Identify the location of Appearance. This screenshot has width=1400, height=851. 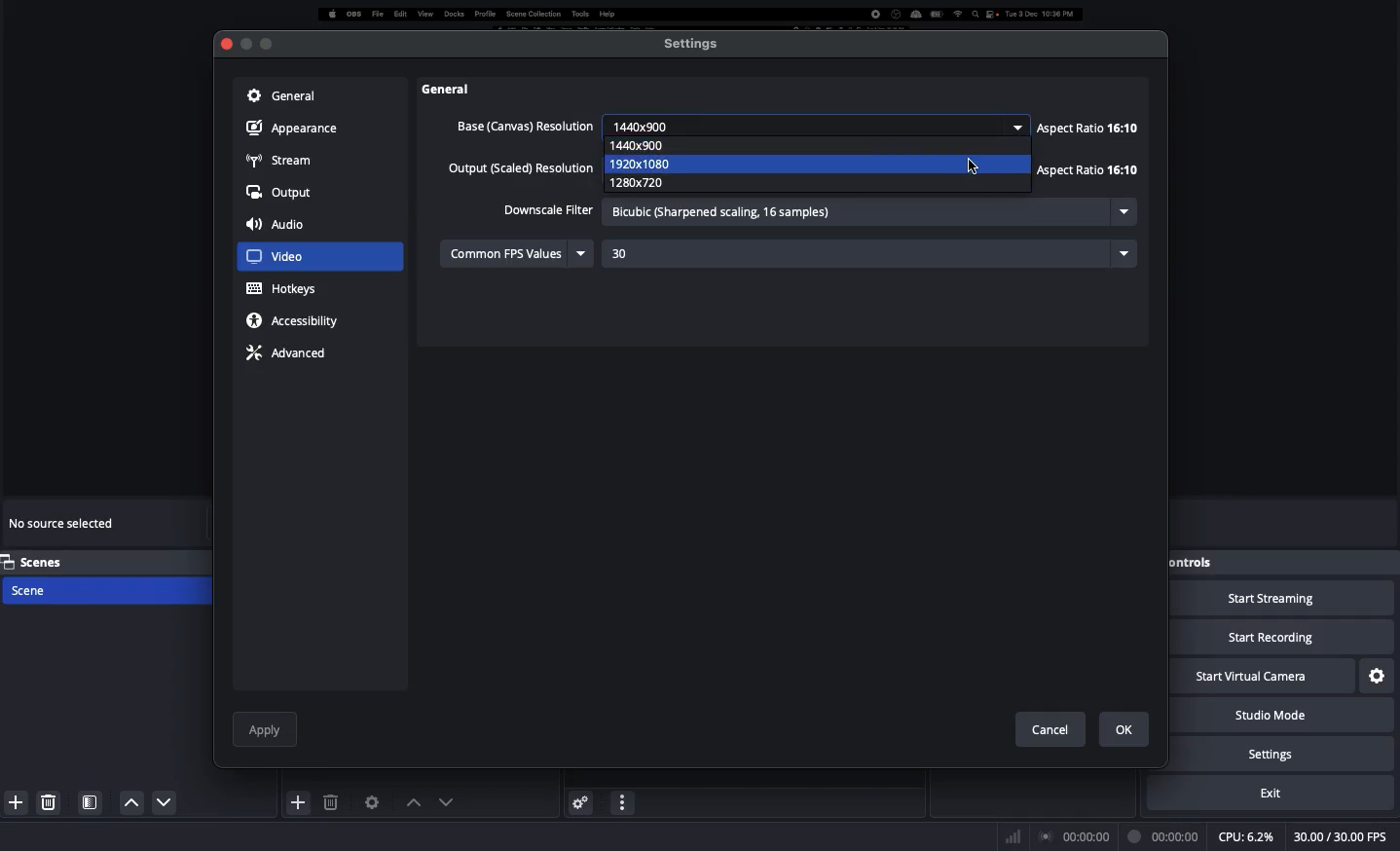
(297, 127).